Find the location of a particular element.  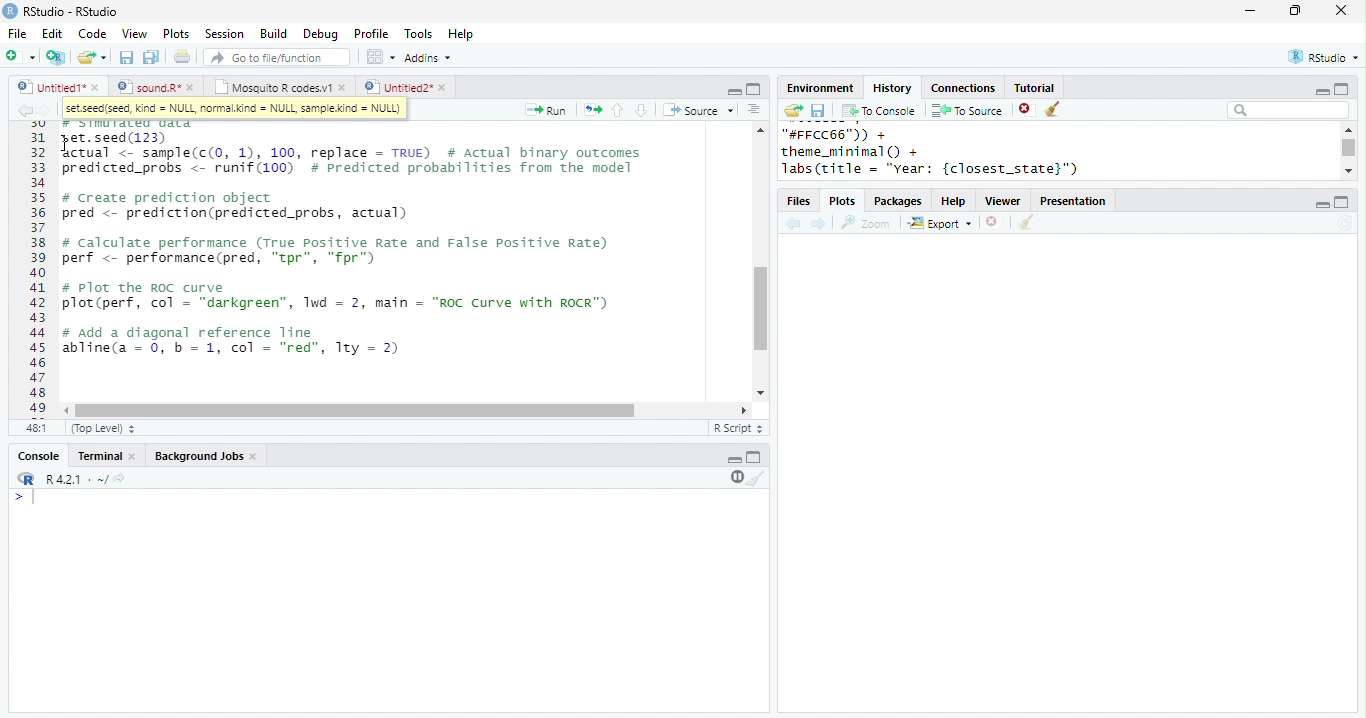

minimize is located at coordinates (1321, 92).